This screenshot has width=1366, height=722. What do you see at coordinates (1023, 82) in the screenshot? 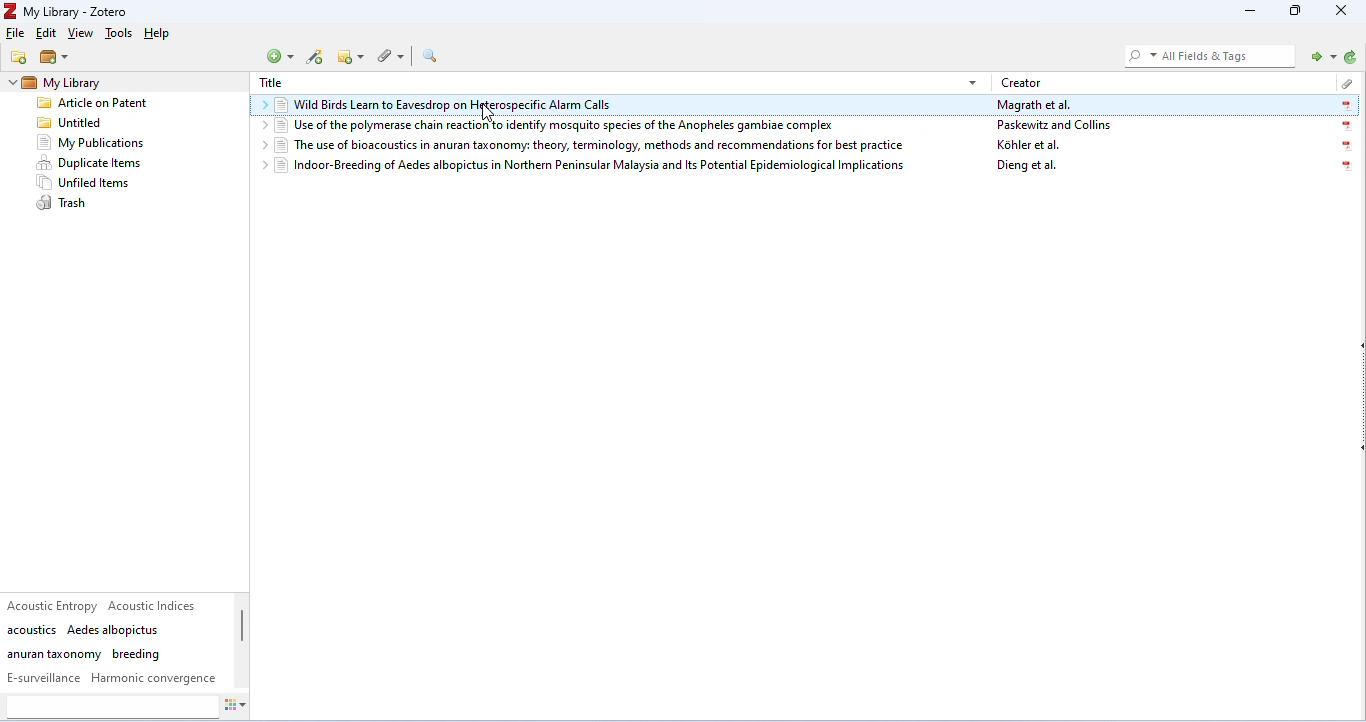
I see `creator` at bounding box center [1023, 82].